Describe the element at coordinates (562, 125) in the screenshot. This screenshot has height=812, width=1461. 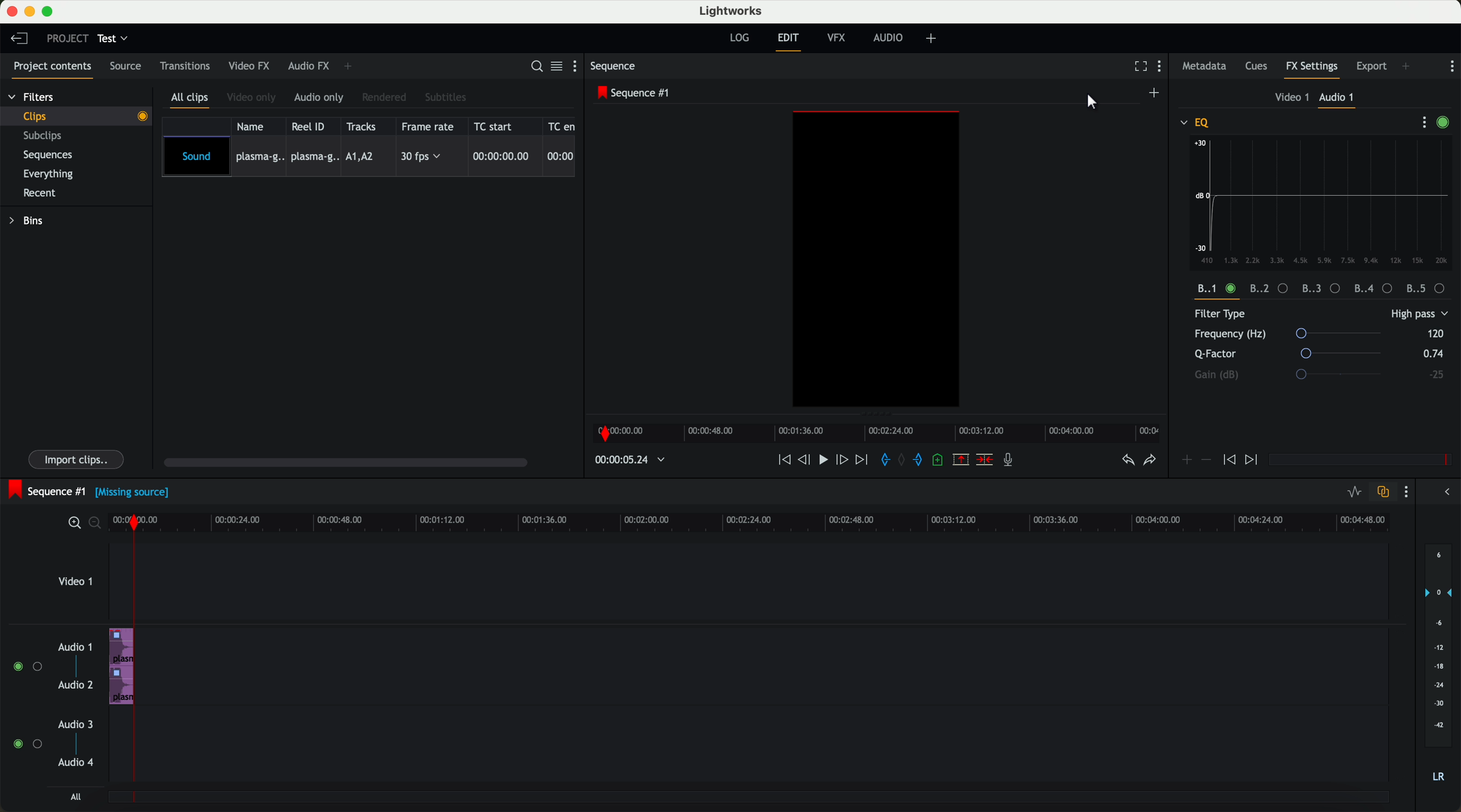
I see `TC en` at that location.